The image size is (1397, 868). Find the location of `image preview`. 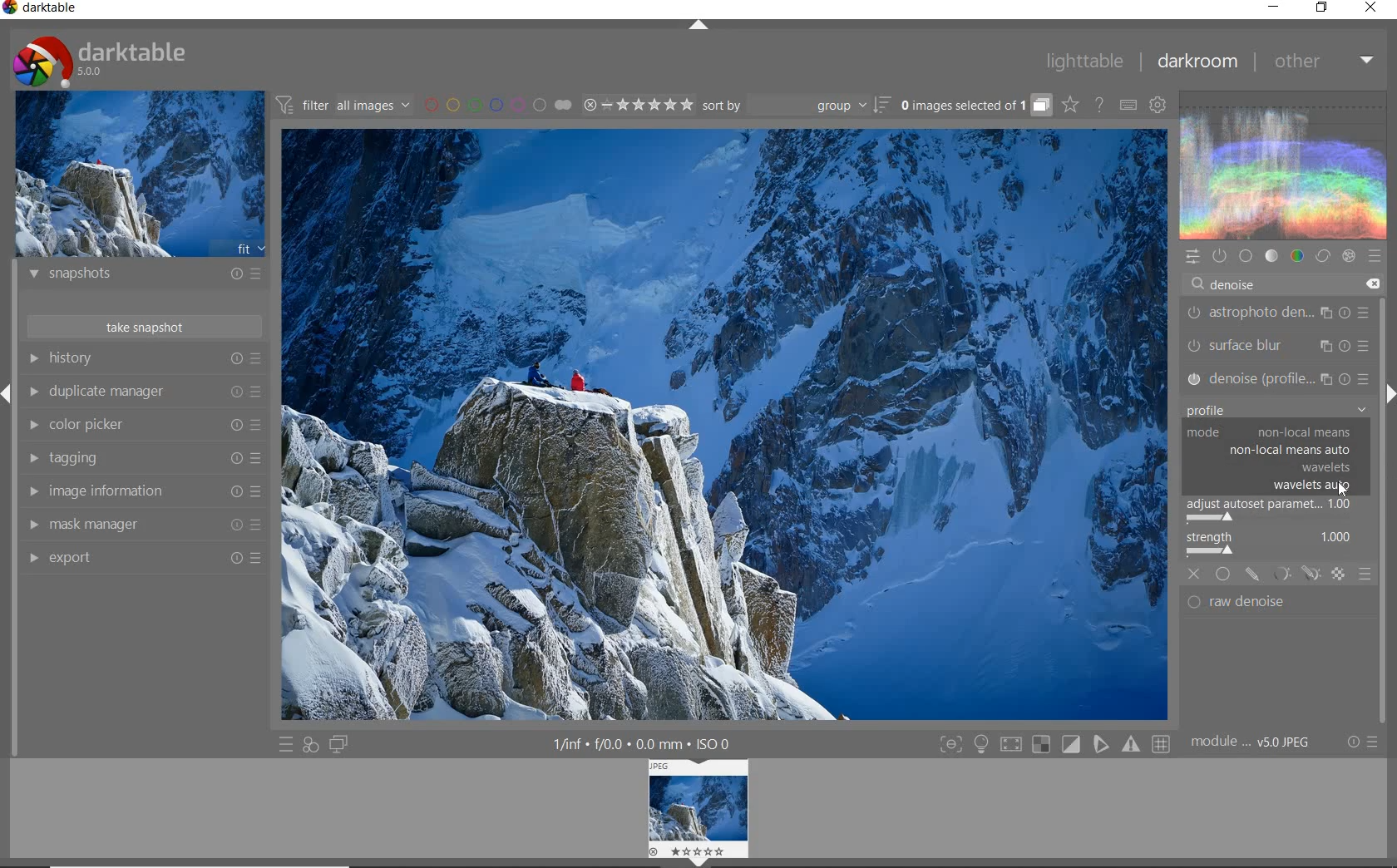

image preview is located at coordinates (139, 173).